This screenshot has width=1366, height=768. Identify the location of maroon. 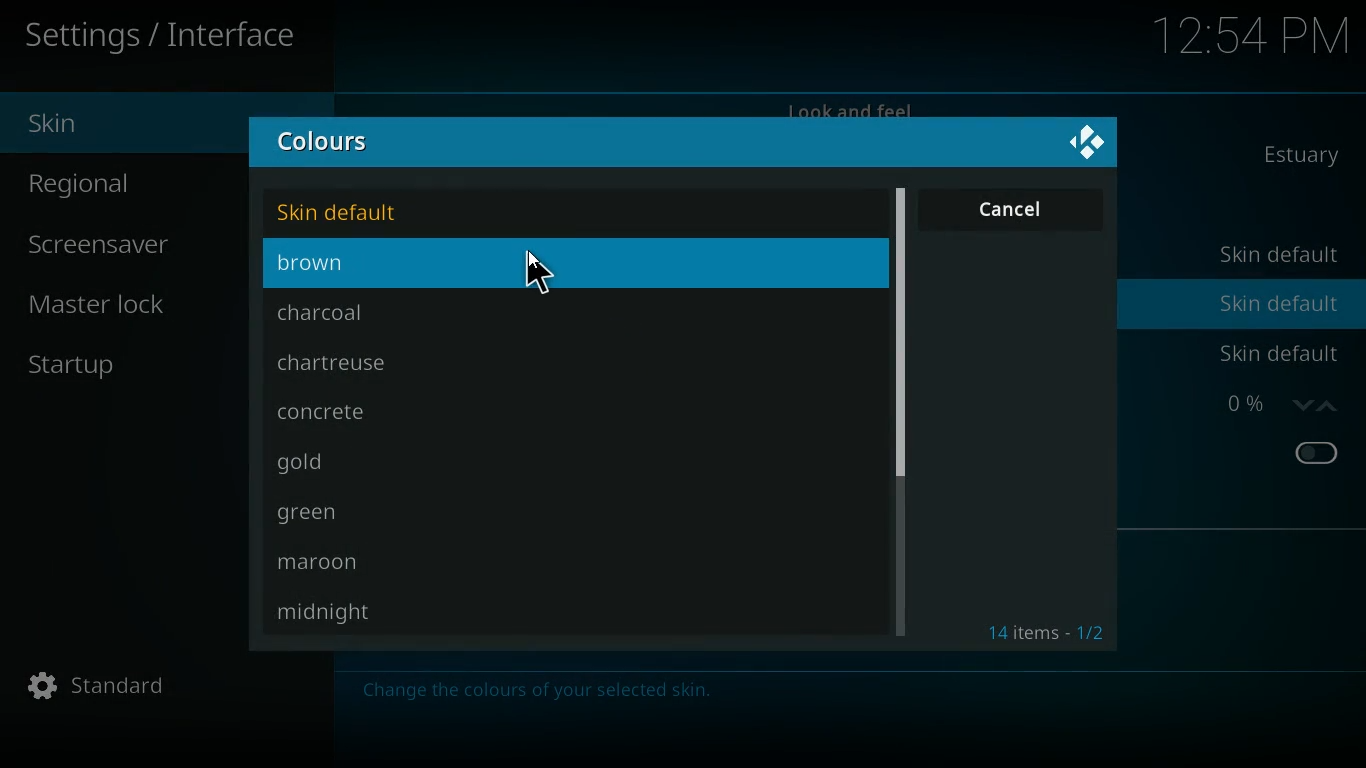
(360, 563).